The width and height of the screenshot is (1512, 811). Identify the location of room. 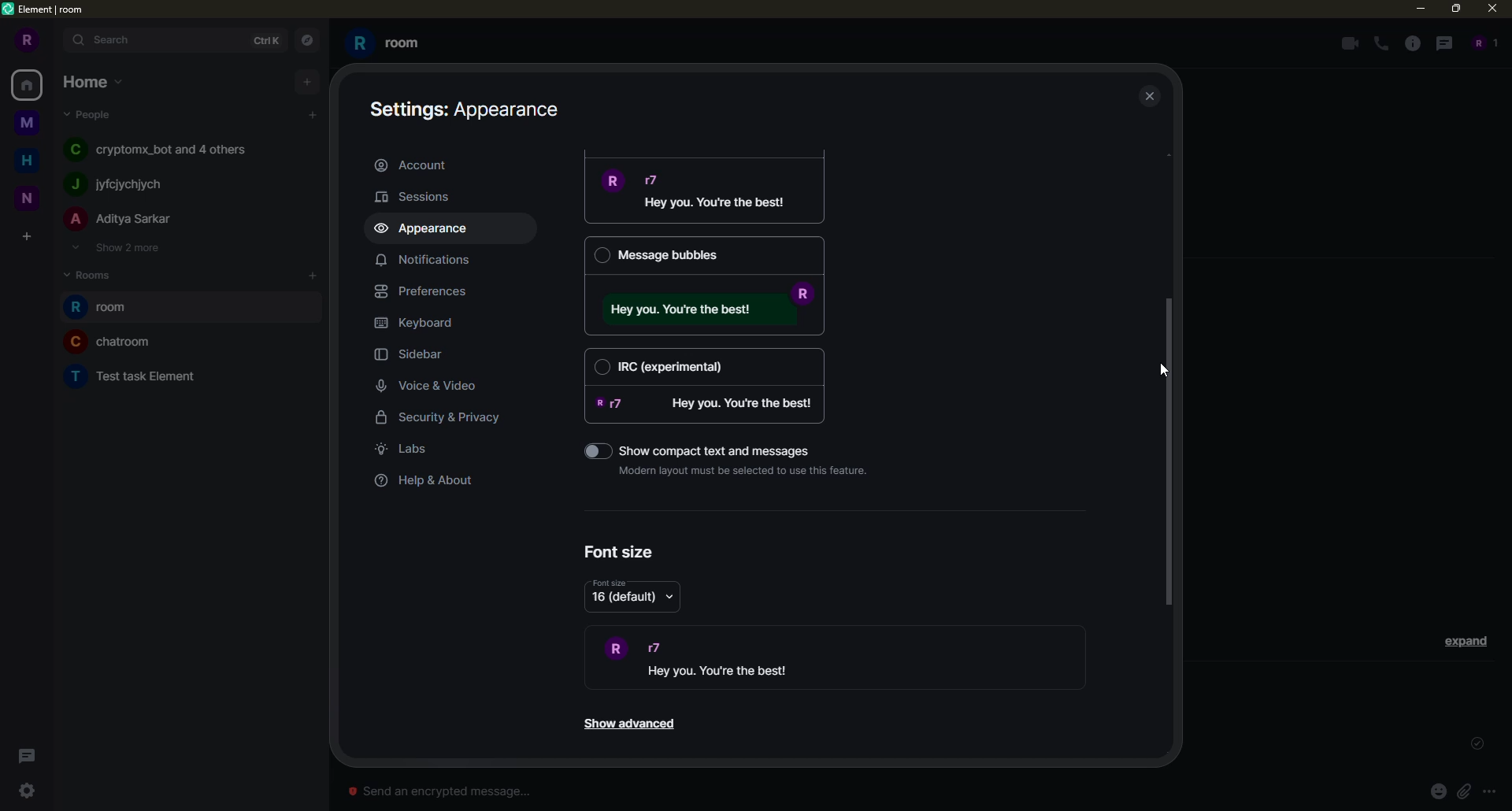
(138, 374).